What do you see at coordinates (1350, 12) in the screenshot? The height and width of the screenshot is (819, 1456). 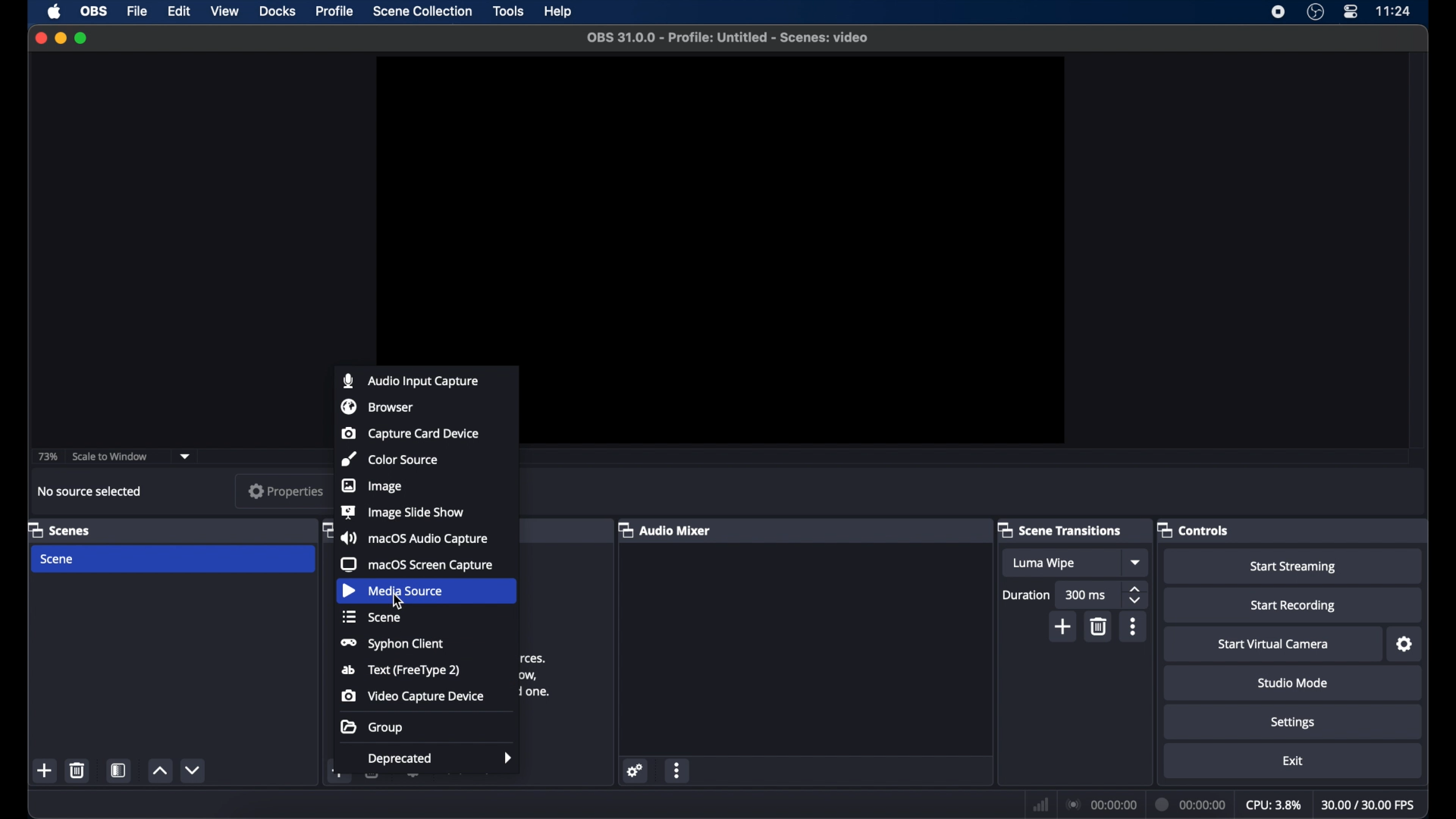 I see `control center` at bounding box center [1350, 12].